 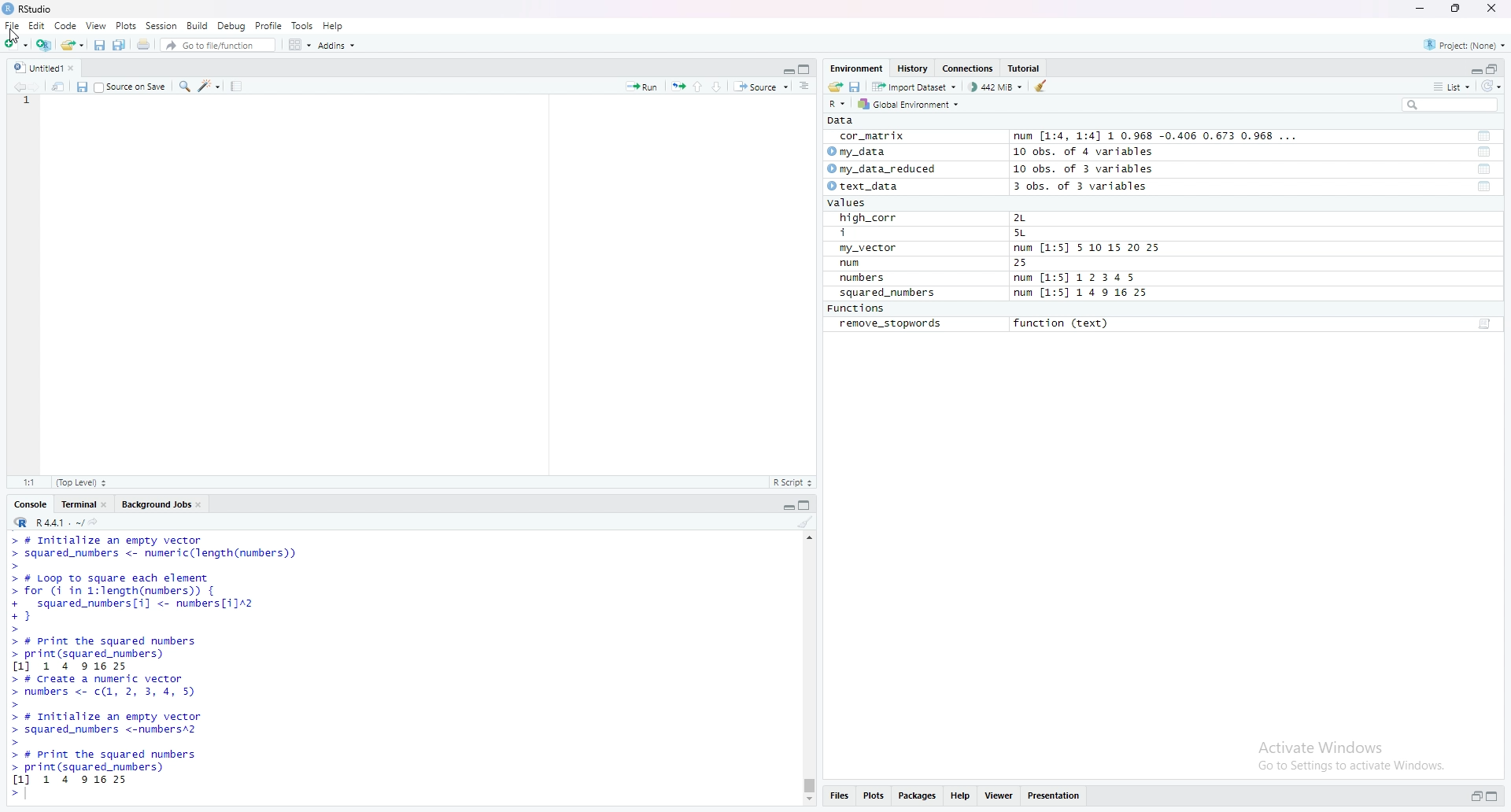 I want to click on high_corr, so click(x=866, y=217).